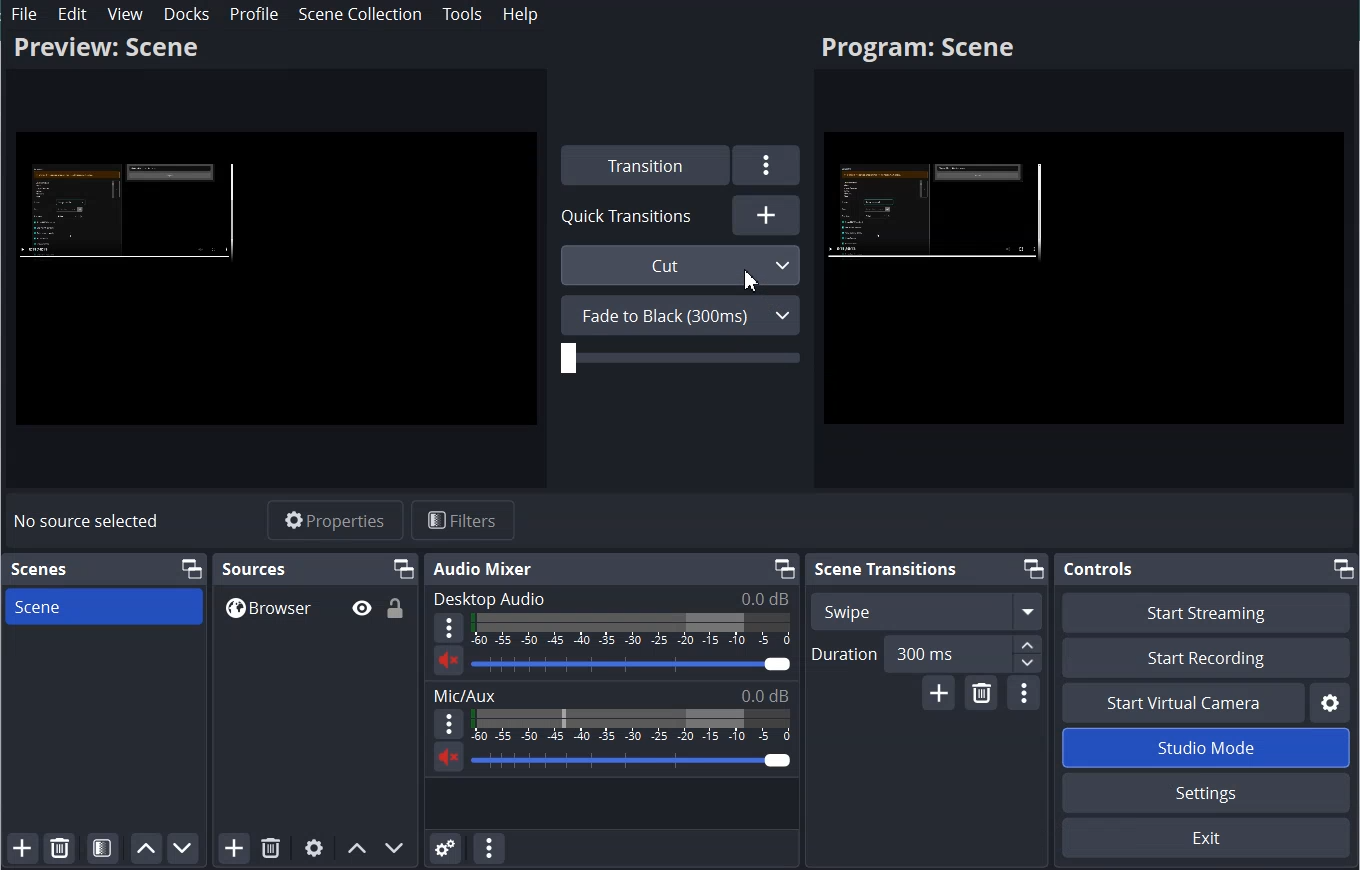  Describe the element at coordinates (1084, 282) in the screenshot. I see `Preview Scene Right` at that location.